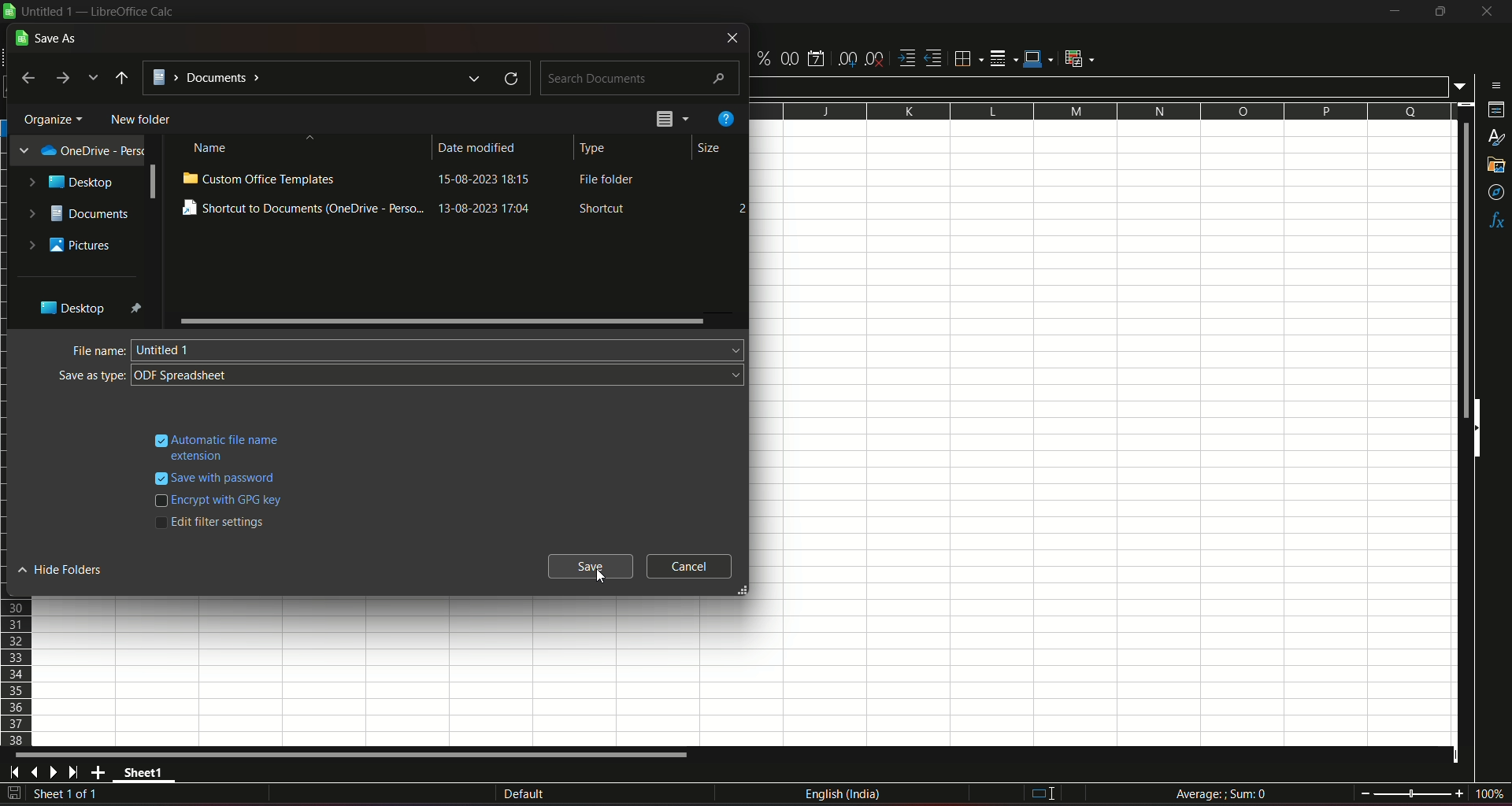  What do you see at coordinates (17, 772) in the screenshot?
I see `first sheet` at bounding box center [17, 772].